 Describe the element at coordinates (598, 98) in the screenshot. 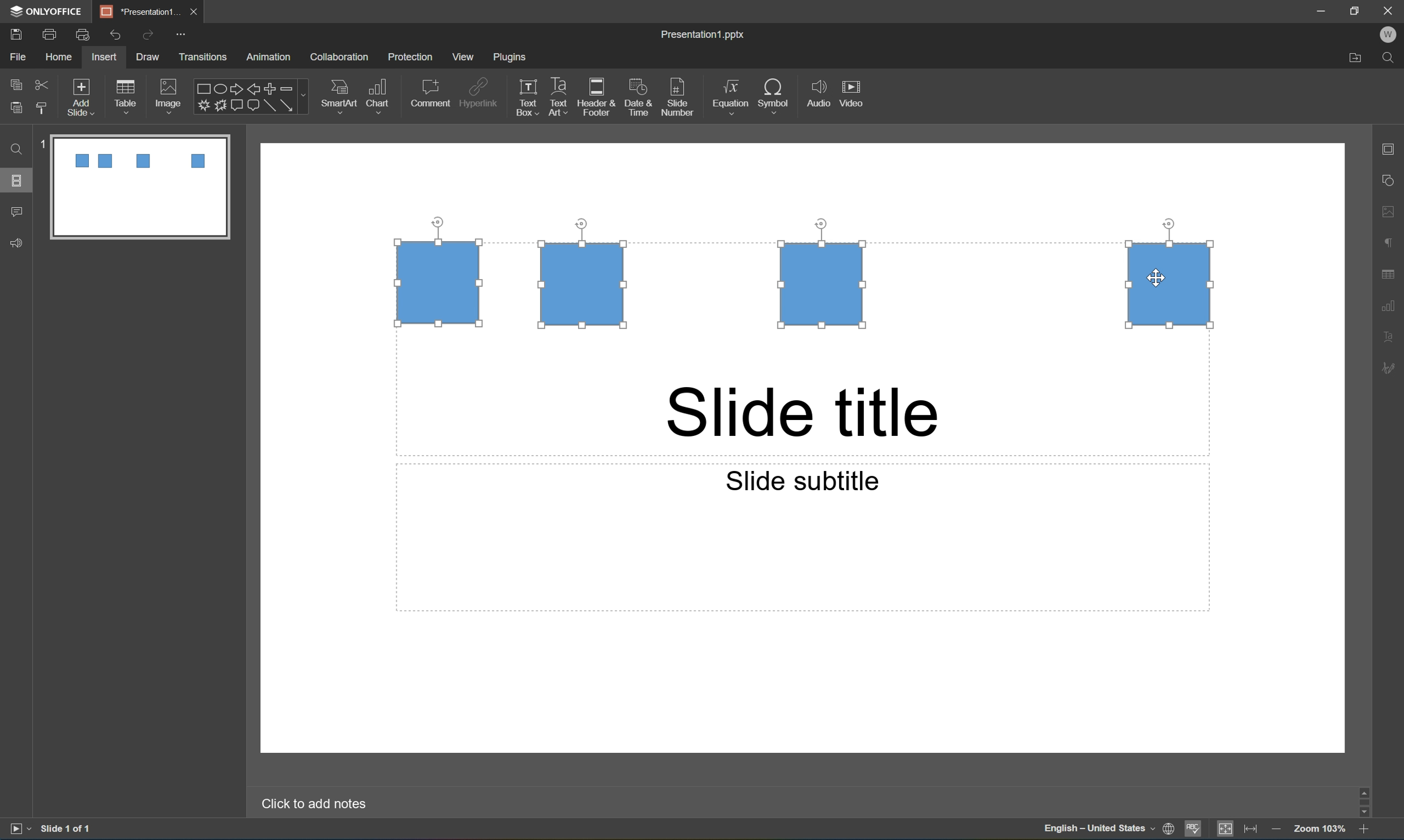

I see `header & footer` at that location.